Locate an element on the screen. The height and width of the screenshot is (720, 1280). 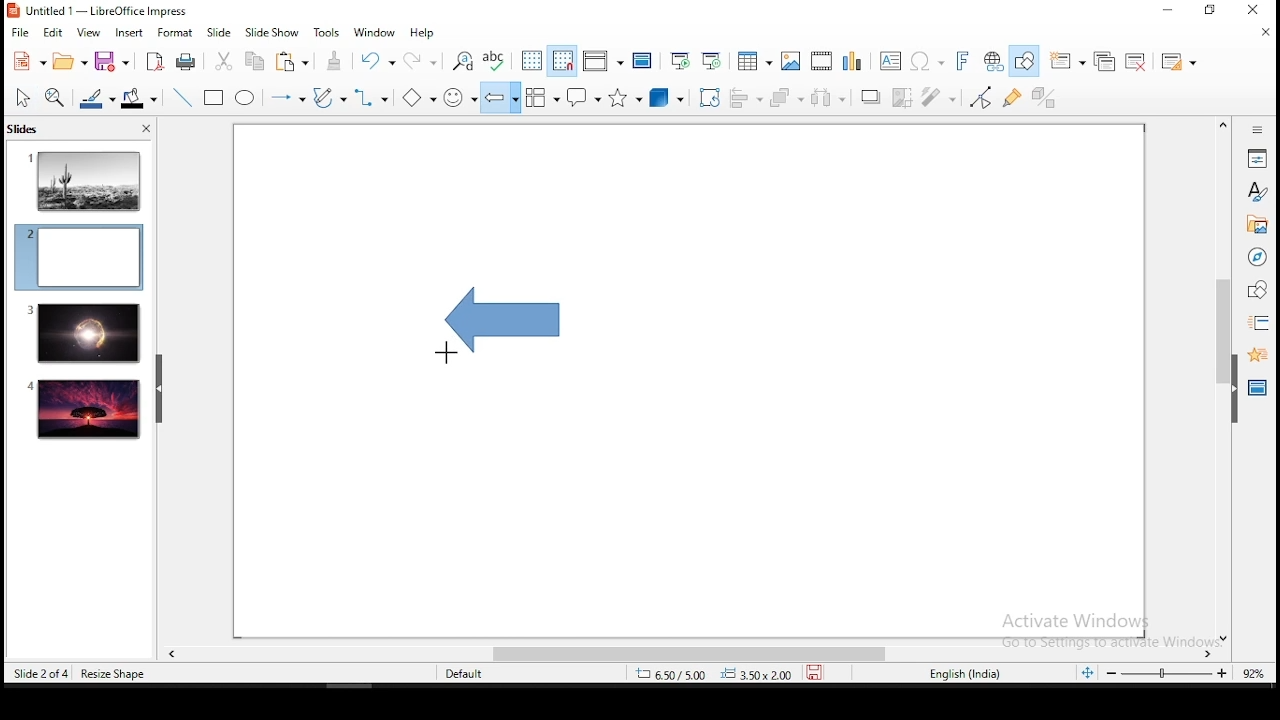
duplicate slide is located at coordinates (1107, 62).